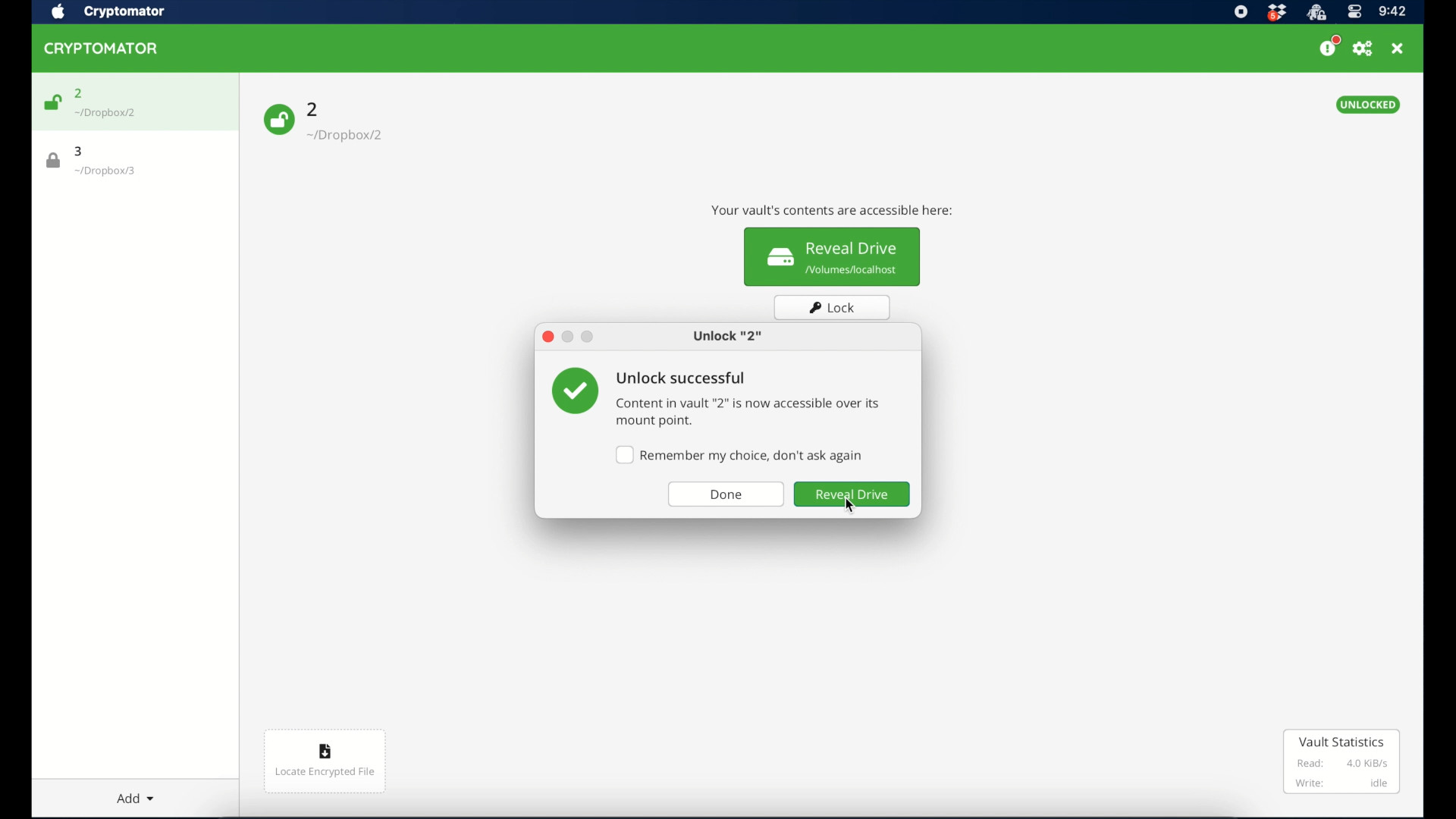  Describe the element at coordinates (747, 413) in the screenshot. I see `info` at that location.